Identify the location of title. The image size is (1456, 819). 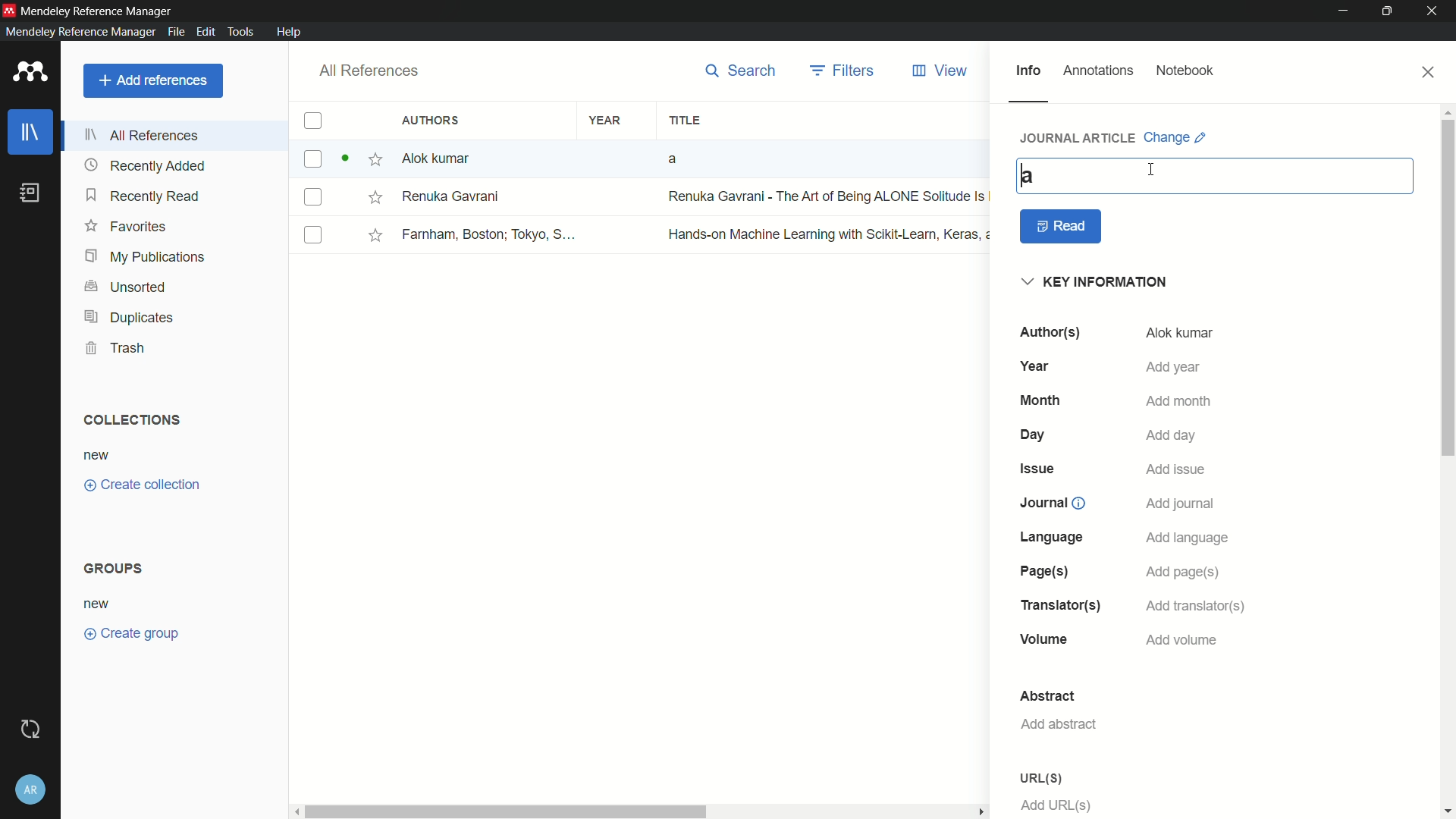
(684, 121).